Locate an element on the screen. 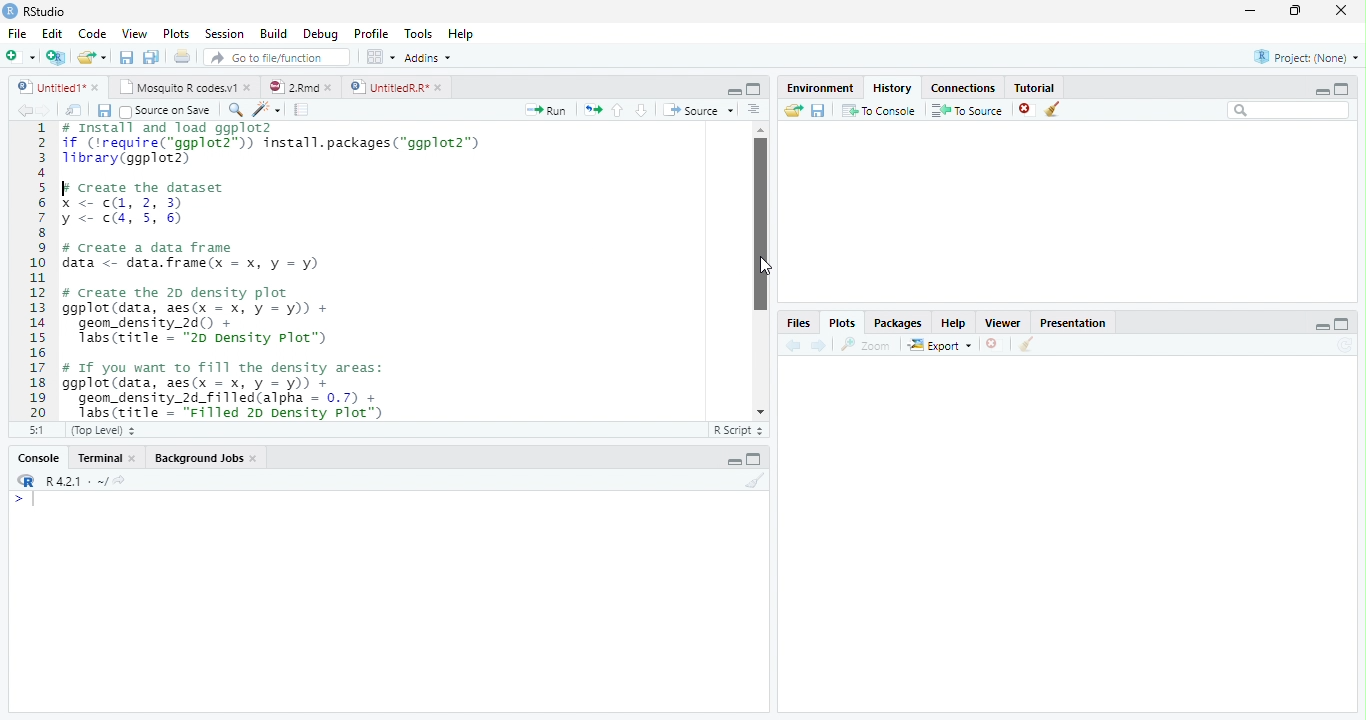 Image resolution: width=1366 pixels, height=720 pixels. Untitled1 is located at coordinates (46, 87).